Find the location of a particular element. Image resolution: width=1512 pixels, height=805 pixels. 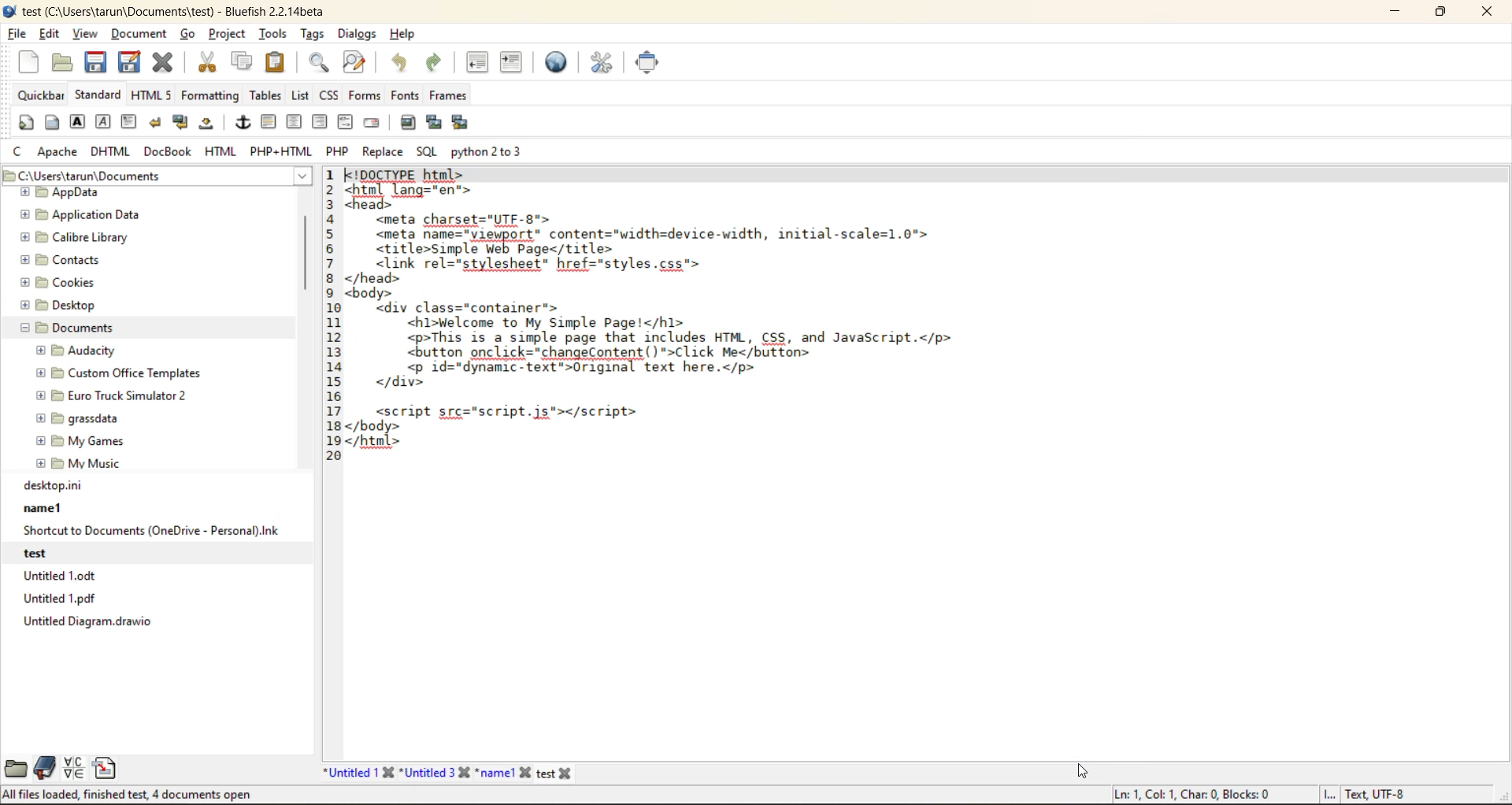

paragraph is located at coordinates (130, 121).